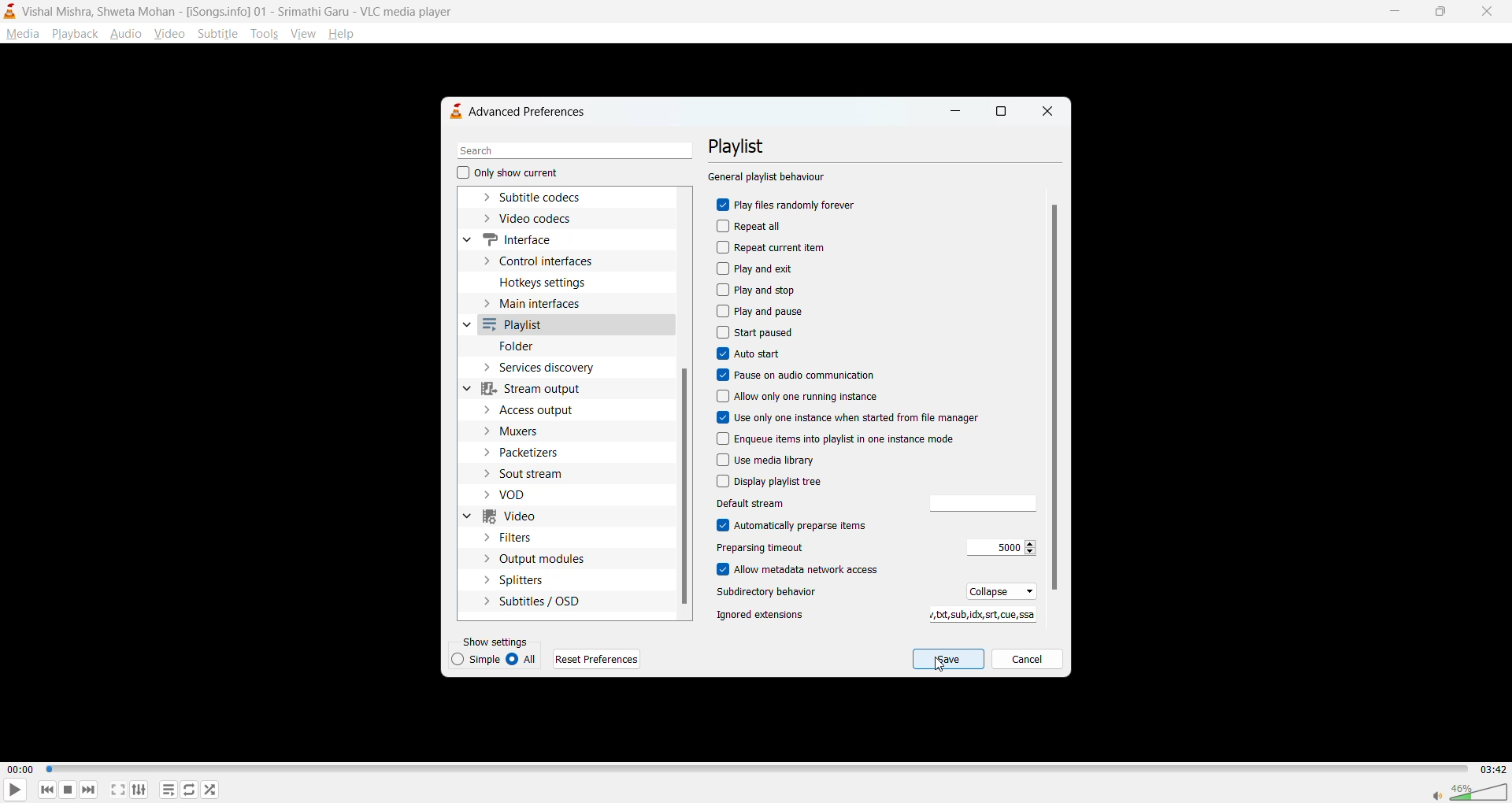  Describe the element at coordinates (978, 616) in the screenshot. I see `ignored extensions` at that location.